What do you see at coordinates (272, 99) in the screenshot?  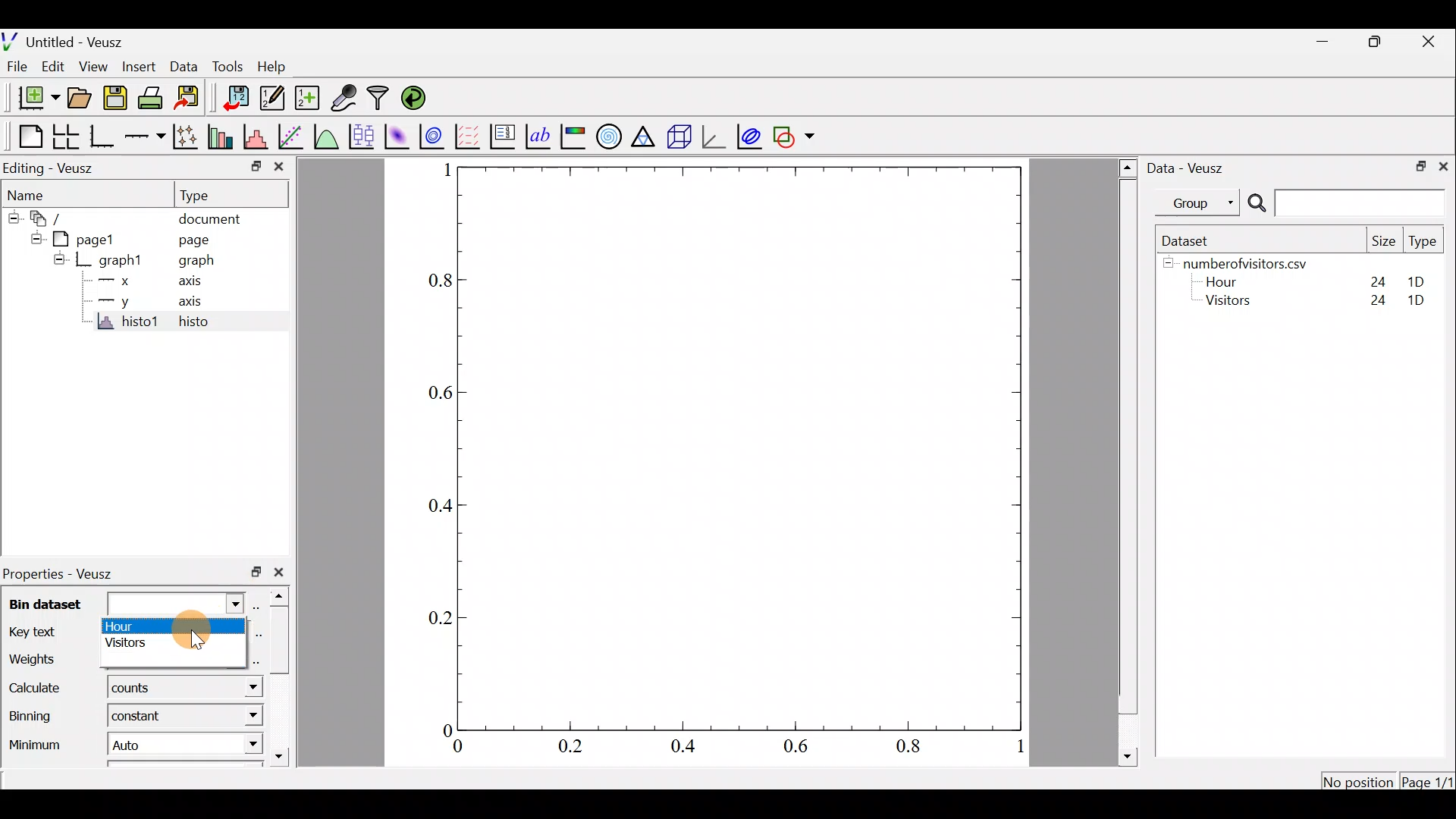 I see `edit and enter new datasets` at bounding box center [272, 99].